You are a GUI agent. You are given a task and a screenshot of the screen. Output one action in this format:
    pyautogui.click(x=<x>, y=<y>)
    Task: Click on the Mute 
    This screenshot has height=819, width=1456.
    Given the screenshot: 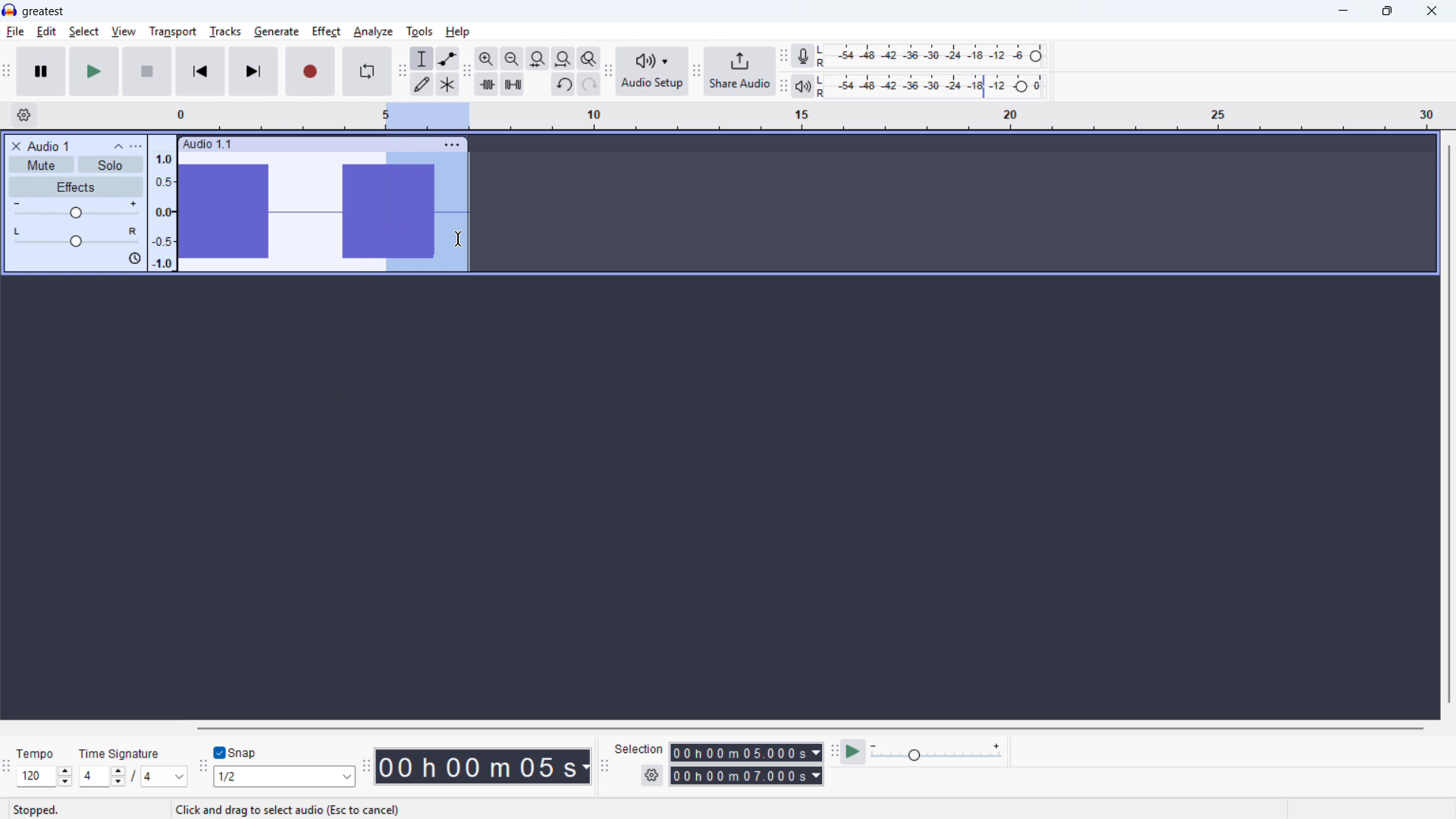 What is the action you would take?
    pyautogui.click(x=41, y=164)
    